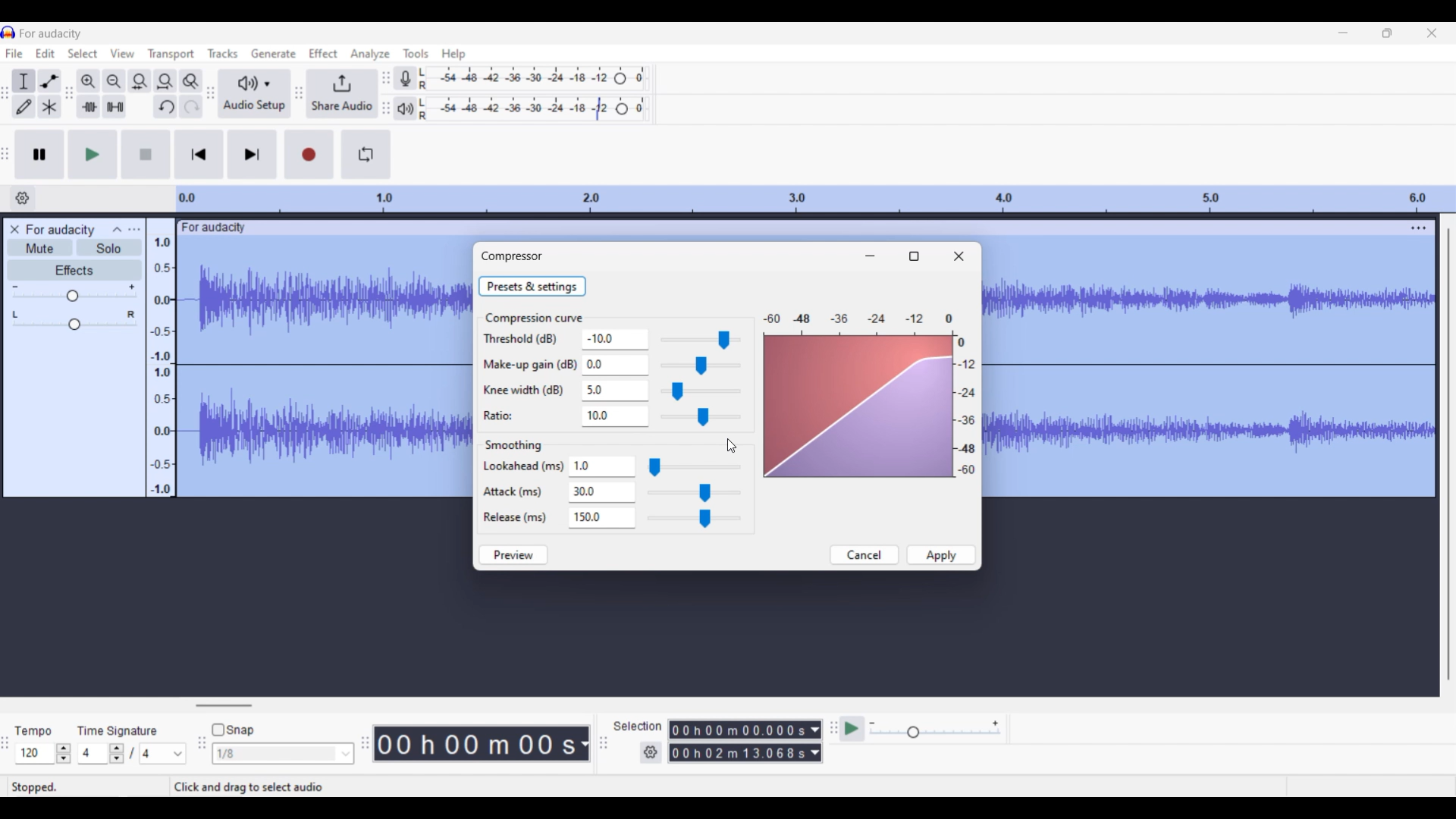 This screenshot has height=819, width=1456. What do you see at coordinates (738, 742) in the screenshot?
I see `Selection duration` at bounding box center [738, 742].